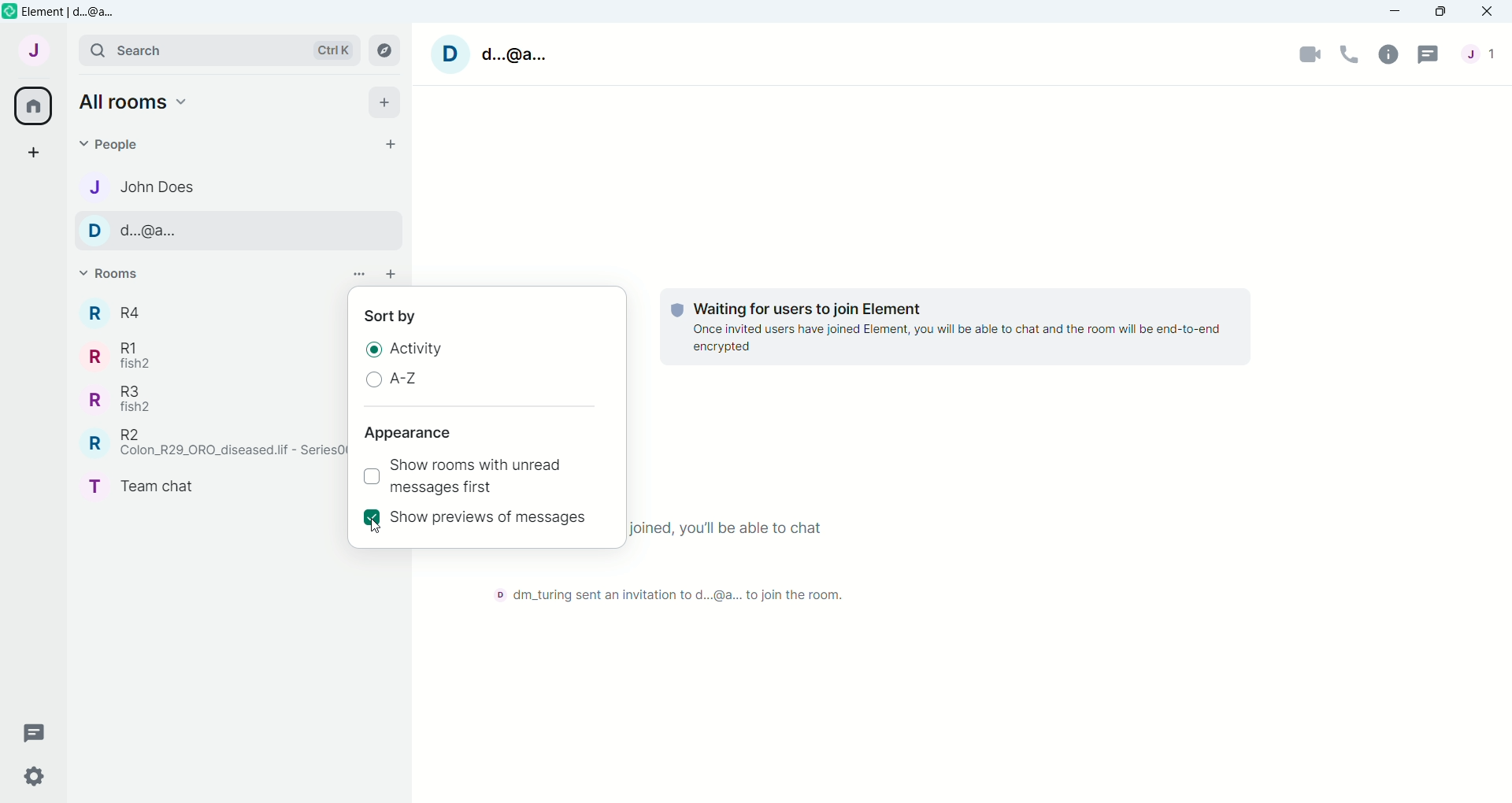 The width and height of the screenshot is (1512, 803). I want to click on Start chat, so click(390, 143).